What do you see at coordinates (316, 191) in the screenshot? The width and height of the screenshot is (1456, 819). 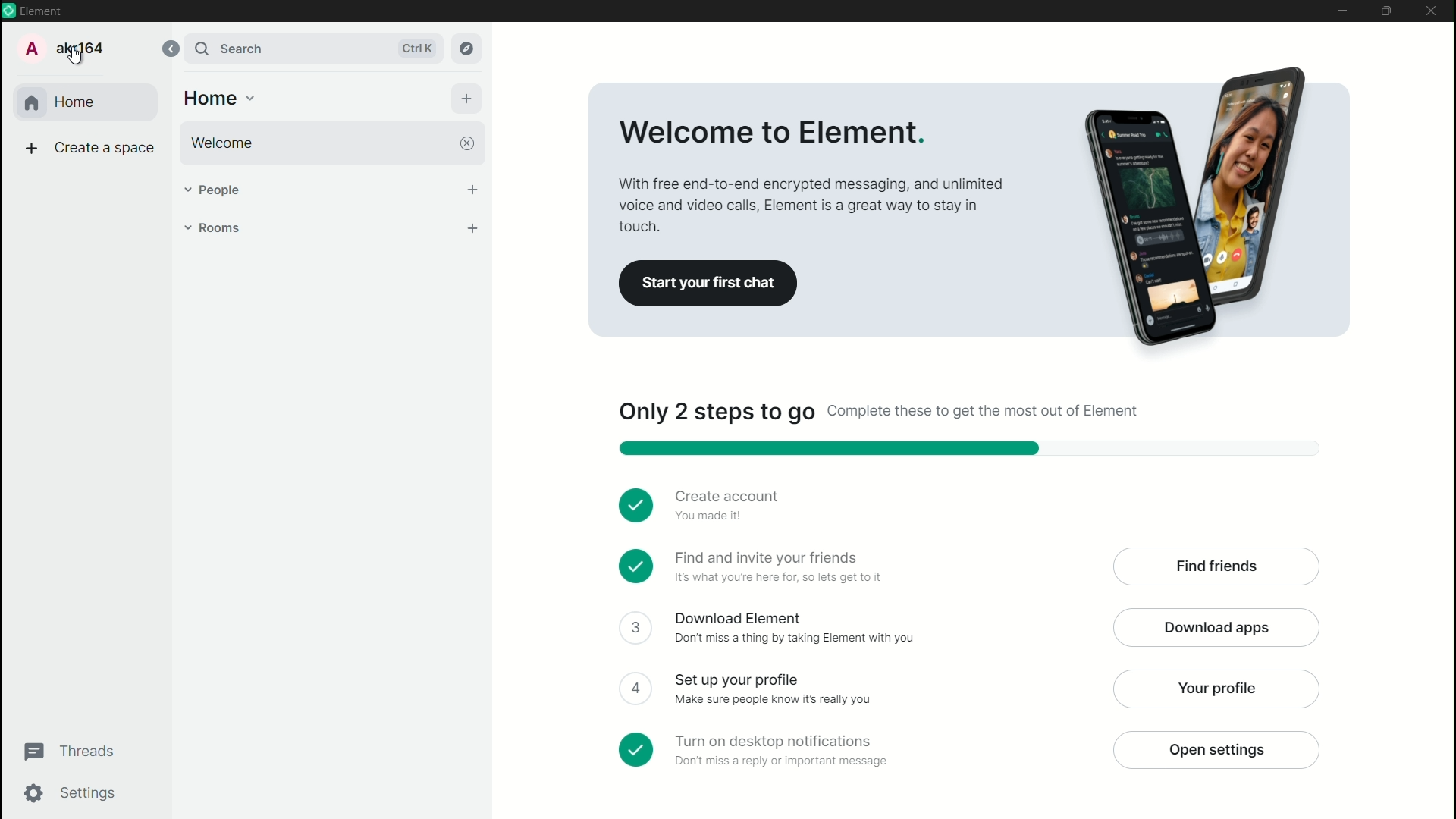 I see `people` at bounding box center [316, 191].